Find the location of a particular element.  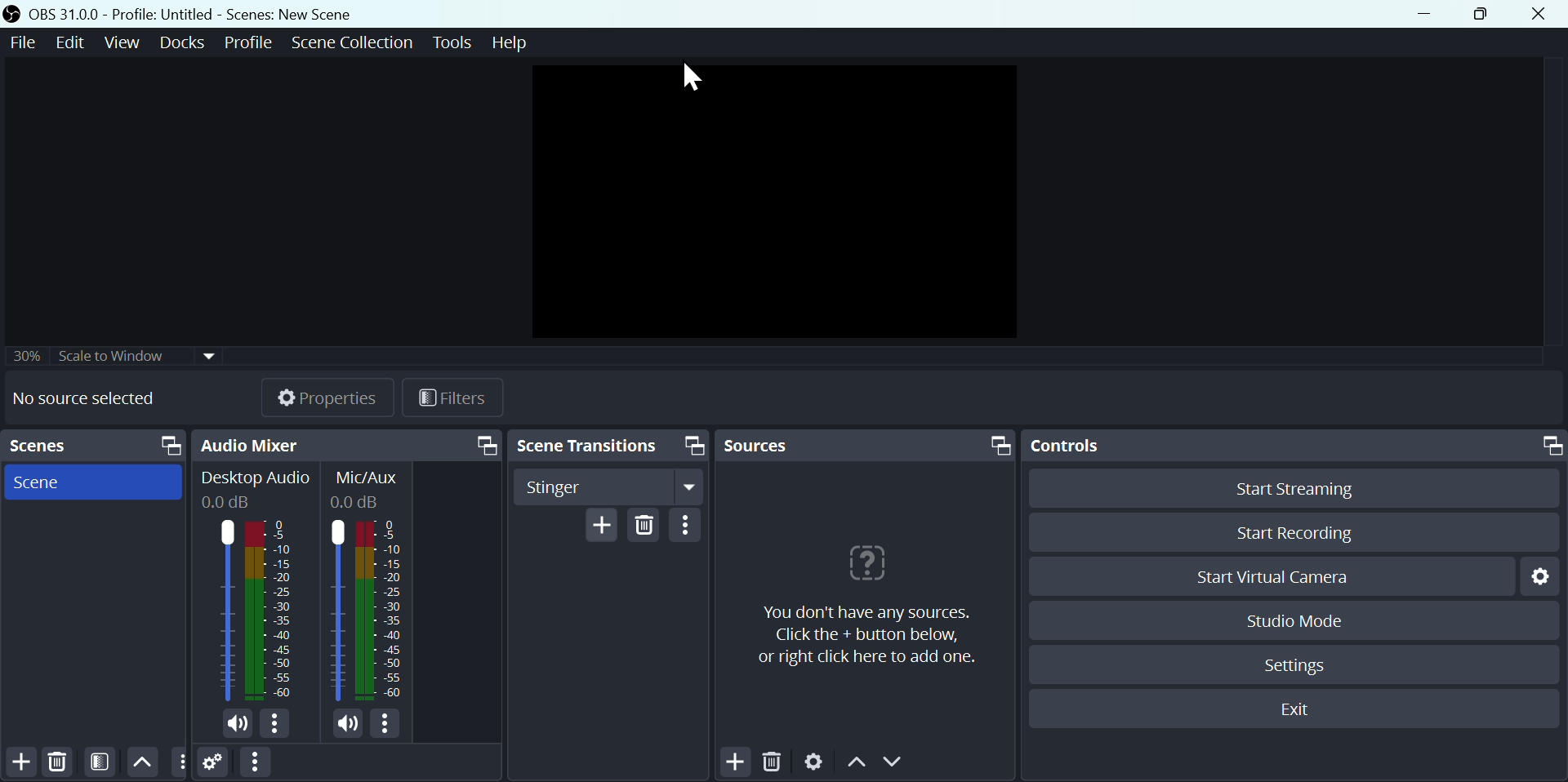

Filters is located at coordinates (465, 400).